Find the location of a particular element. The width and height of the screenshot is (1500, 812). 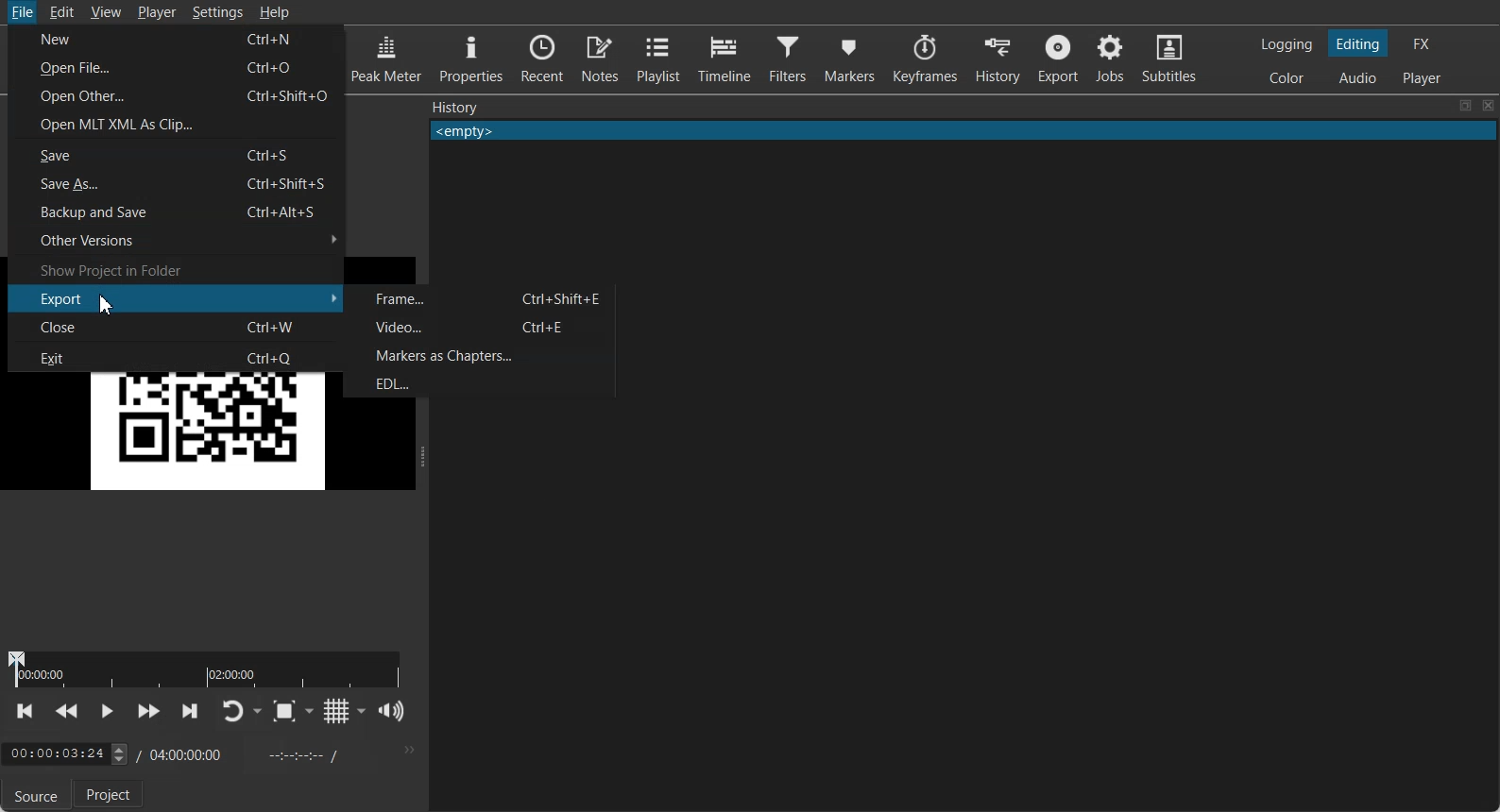

QR Code Image selected is located at coordinates (180, 431).